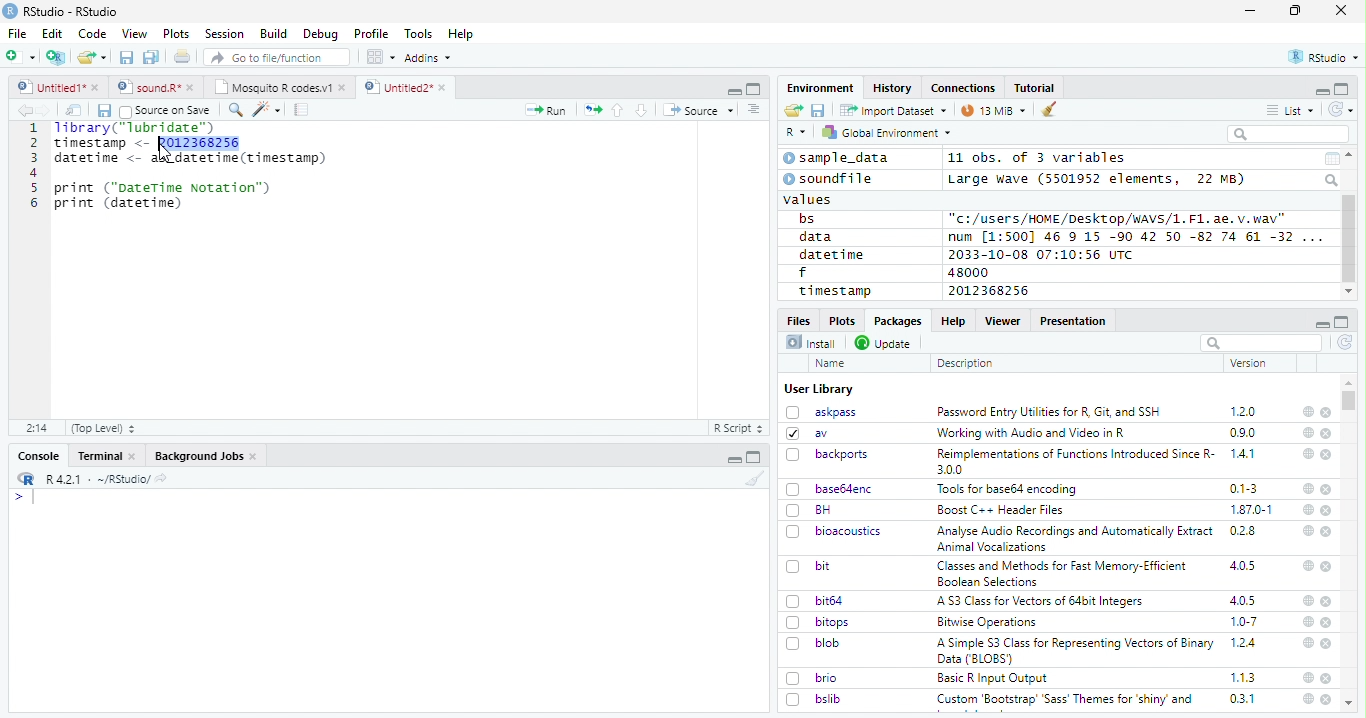  Describe the element at coordinates (1342, 322) in the screenshot. I see `full screen` at that location.